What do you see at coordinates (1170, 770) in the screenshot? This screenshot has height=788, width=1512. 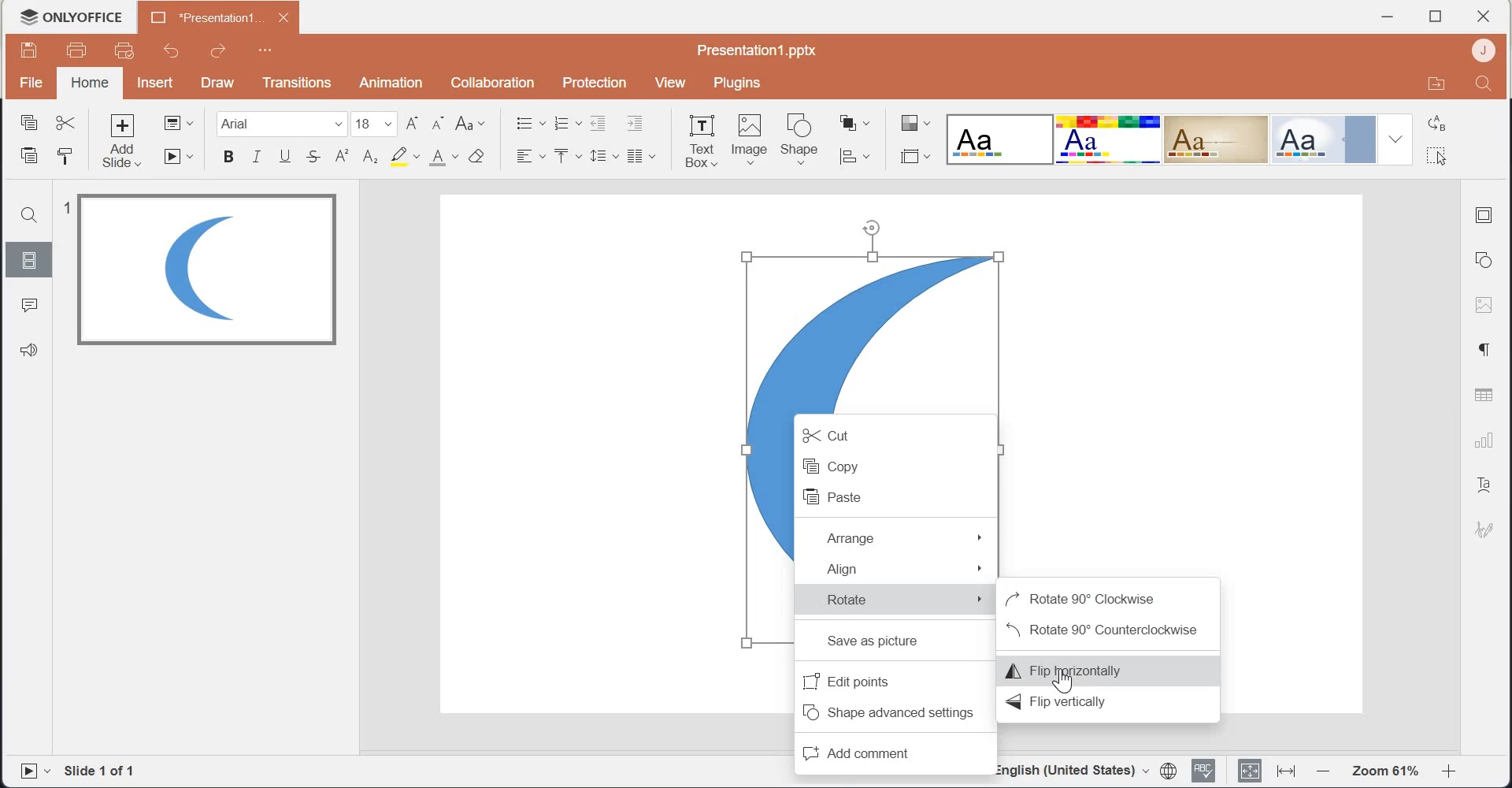 I see `Set document language` at bounding box center [1170, 770].